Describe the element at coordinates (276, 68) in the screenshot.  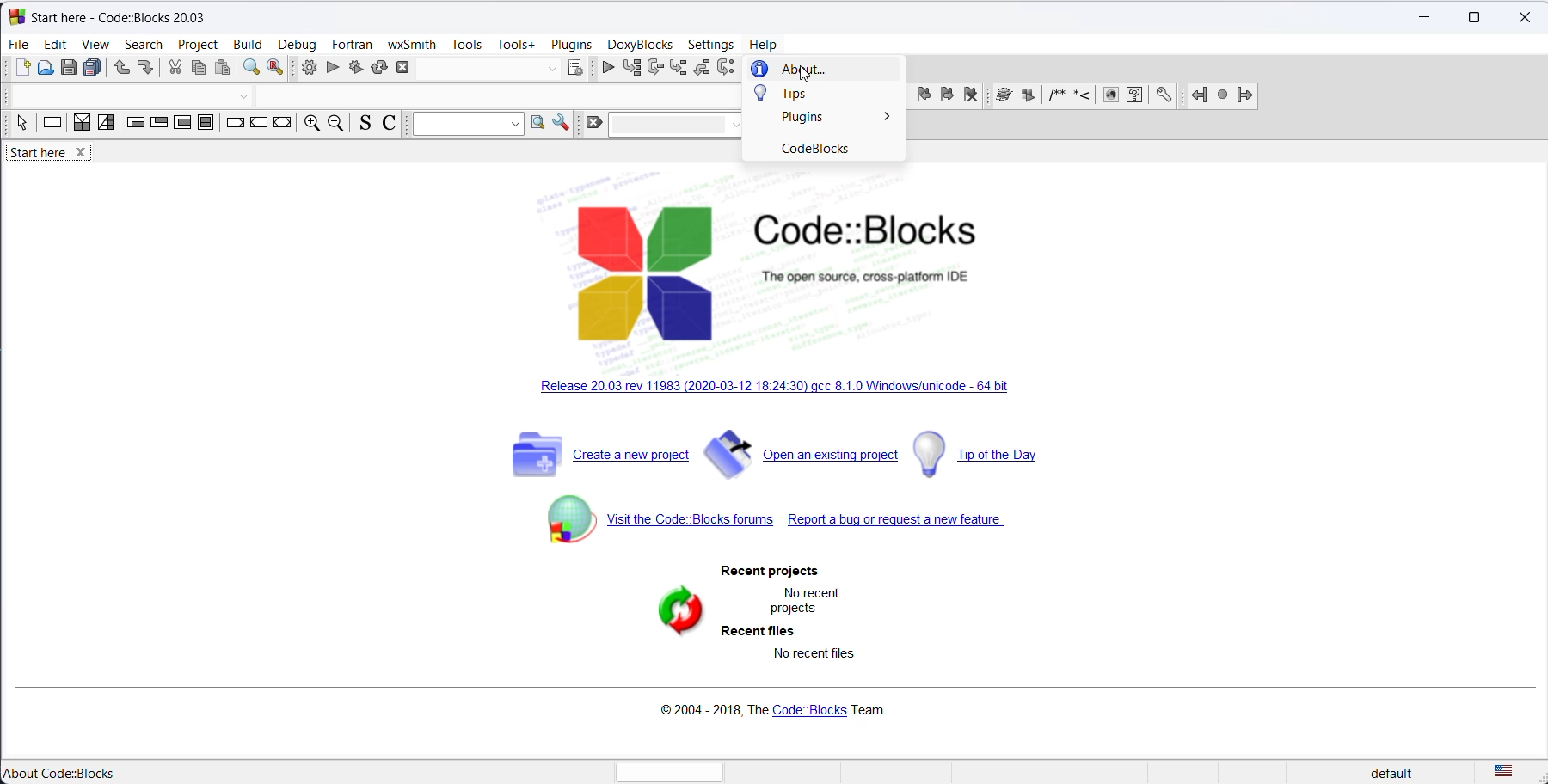
I see `replace` at that location.